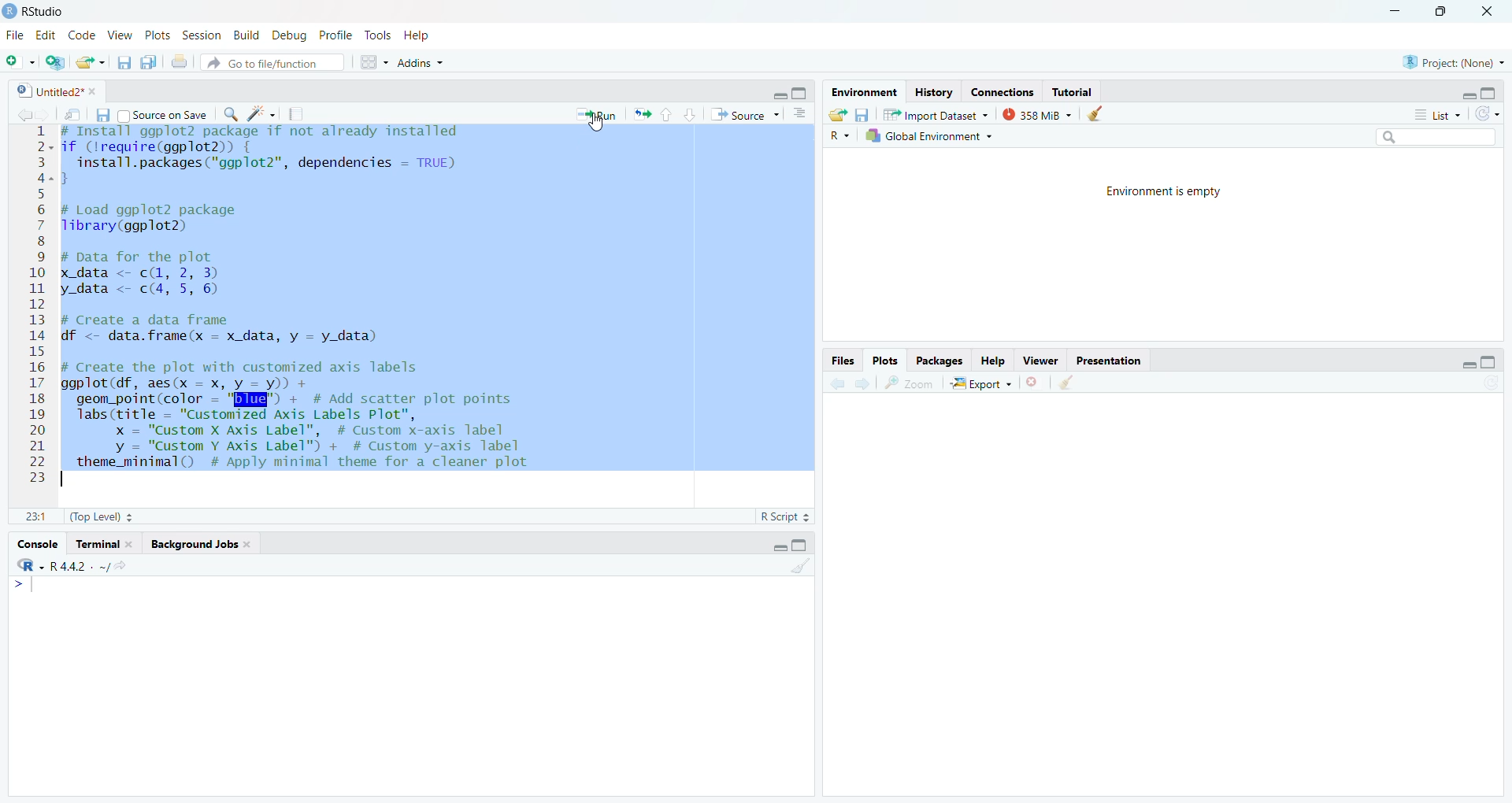 The width and height of the screenshot is (1512, 803). Describe the element at coordinates (22, 62) in the screenshot. I see `add` at that location.